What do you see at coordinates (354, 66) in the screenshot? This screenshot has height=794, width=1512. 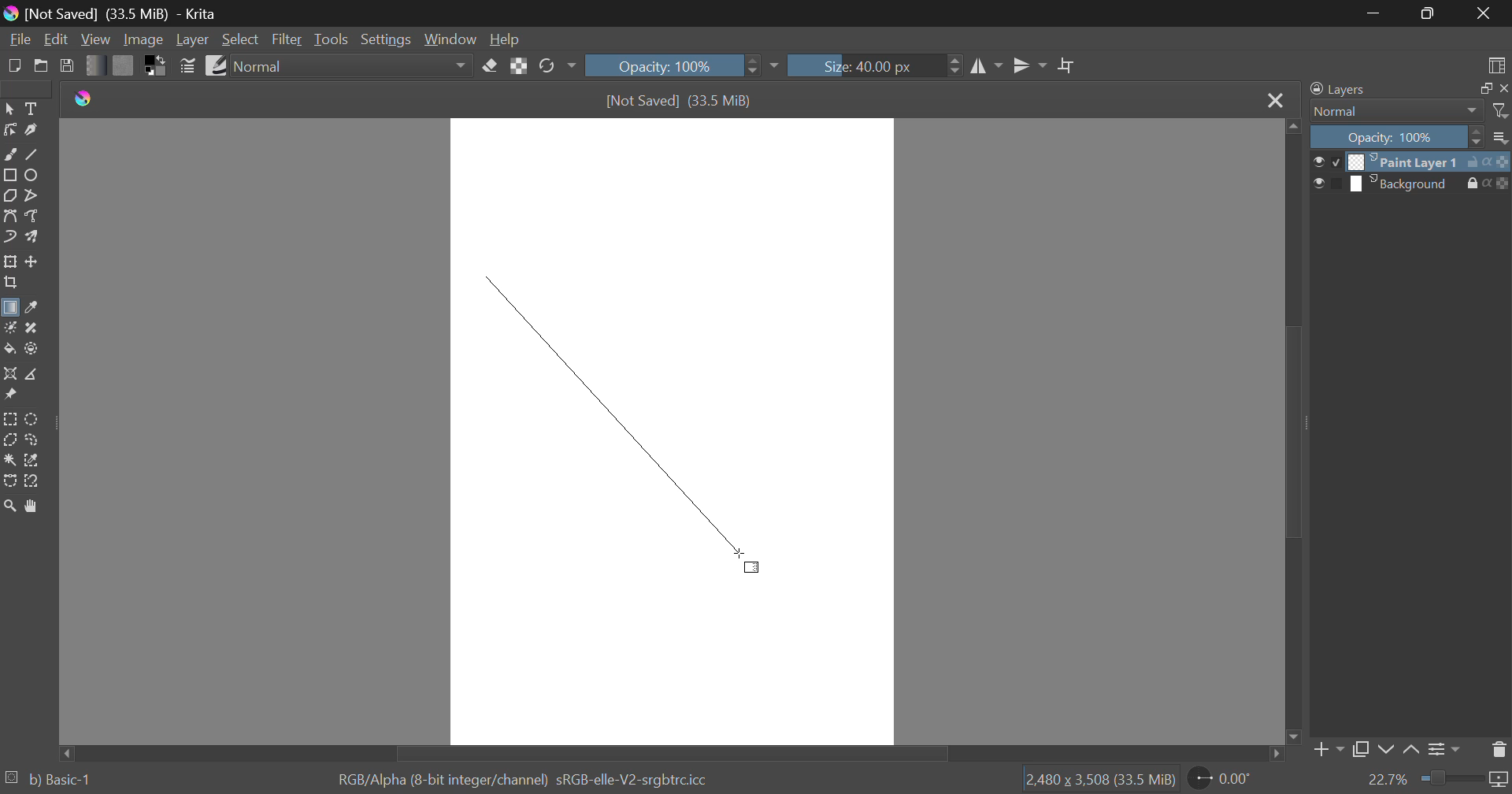 I see `Normal` at bounding box center [354, 66].